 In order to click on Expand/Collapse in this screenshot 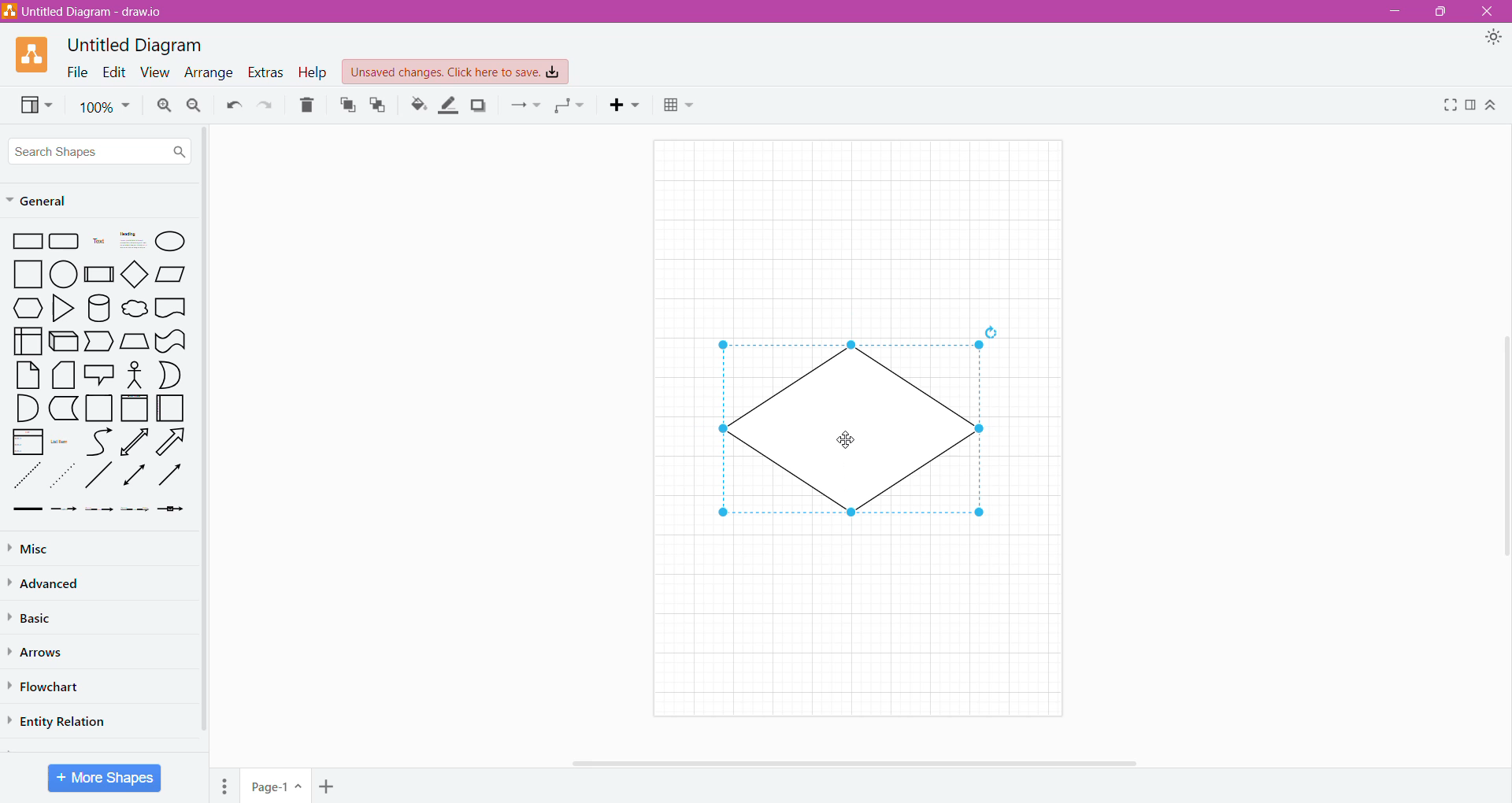, I will do `click(1492, 106)`.